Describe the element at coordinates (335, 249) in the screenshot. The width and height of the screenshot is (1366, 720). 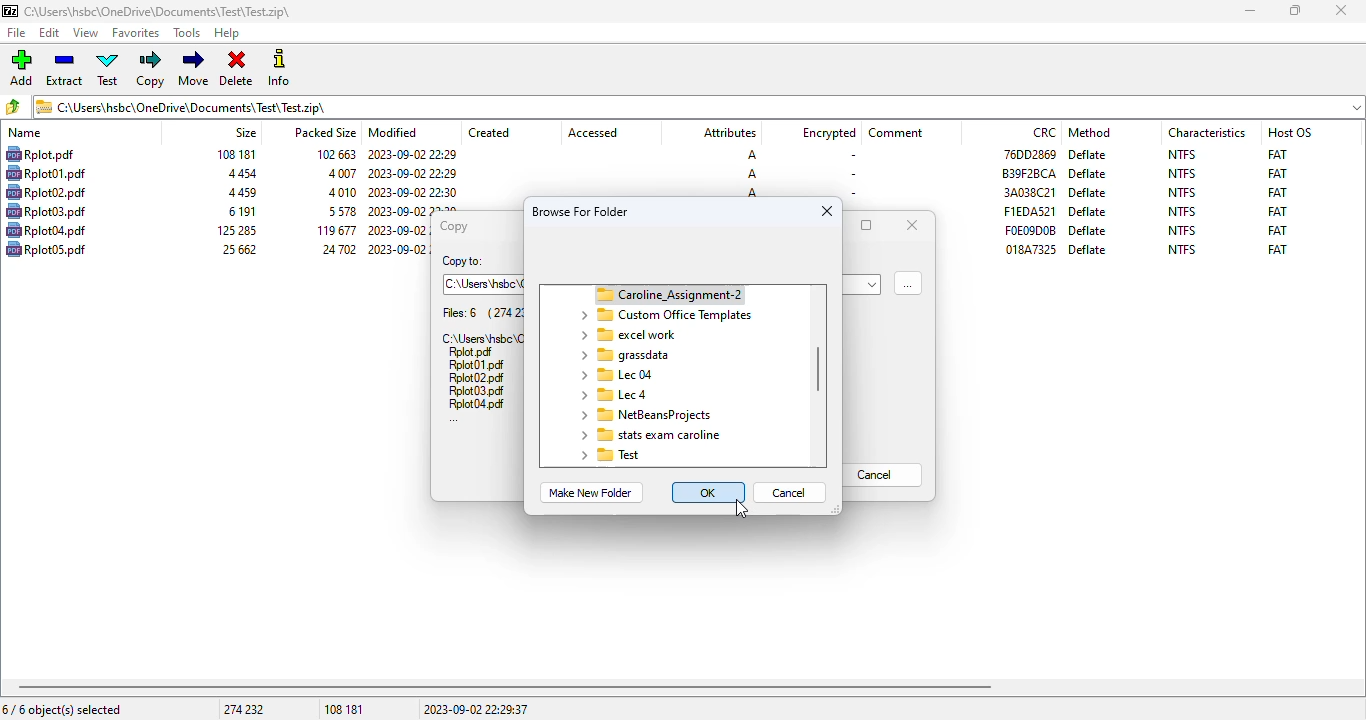
I see `packed size` at that location.